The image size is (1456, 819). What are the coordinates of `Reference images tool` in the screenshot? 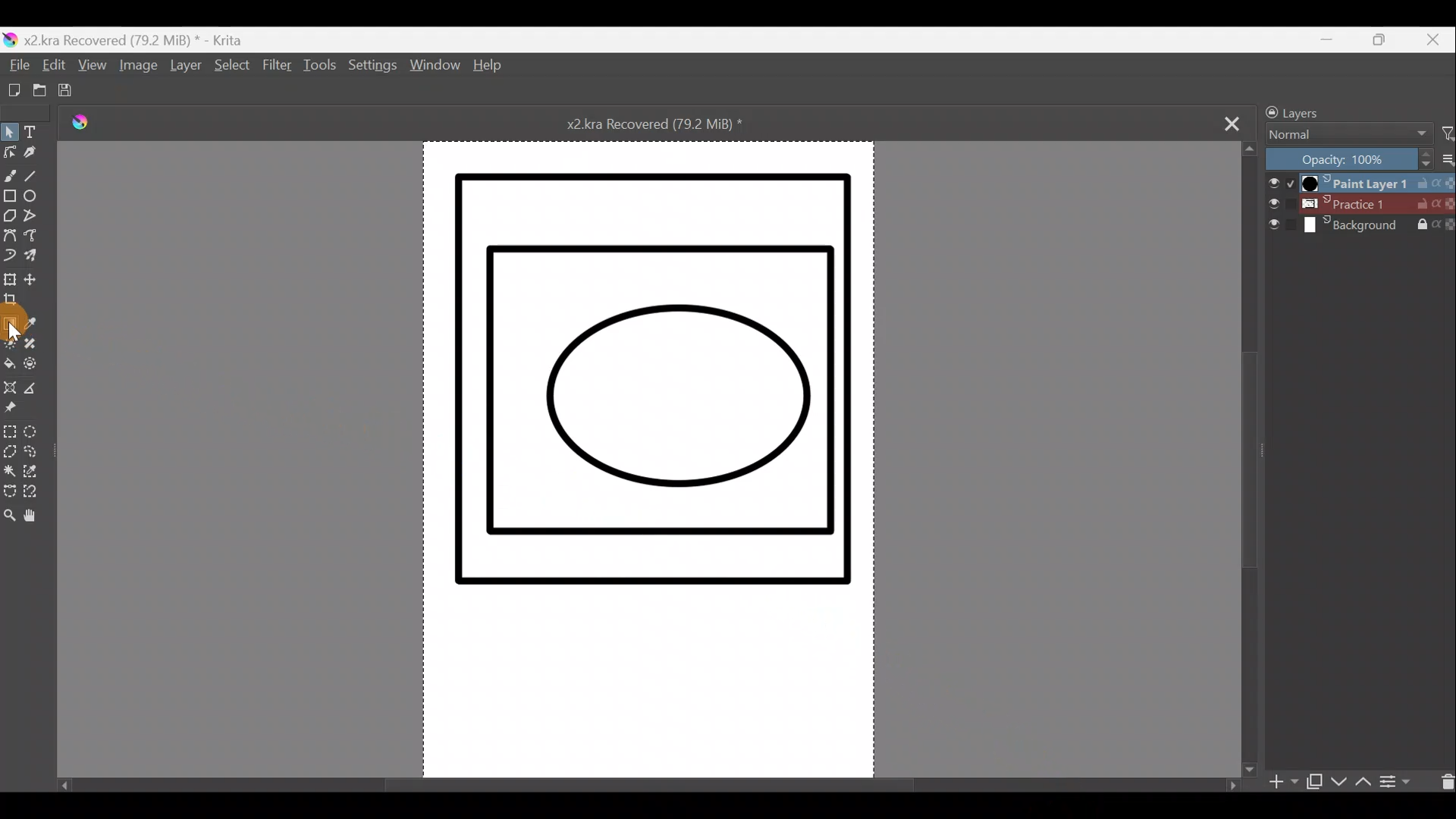 It's located at (11, 413).